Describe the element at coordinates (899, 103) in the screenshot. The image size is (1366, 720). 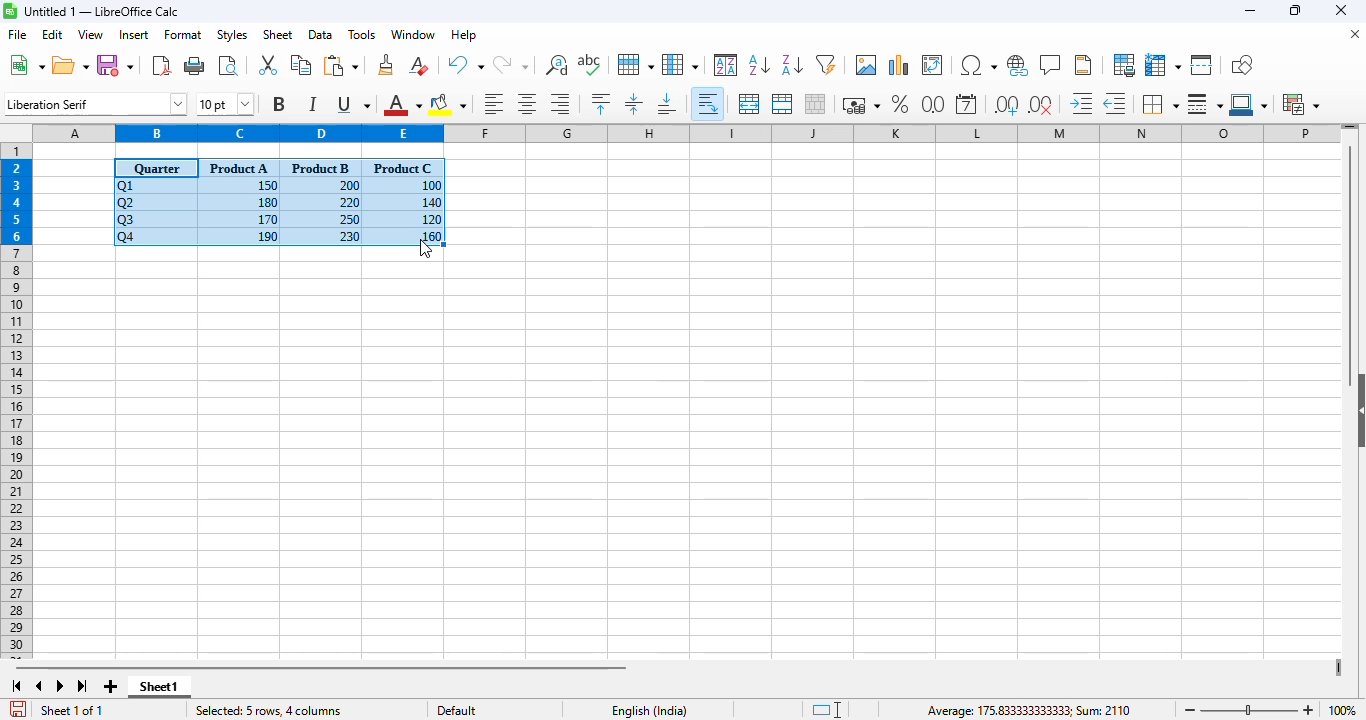
I see `format as percent` at that location.